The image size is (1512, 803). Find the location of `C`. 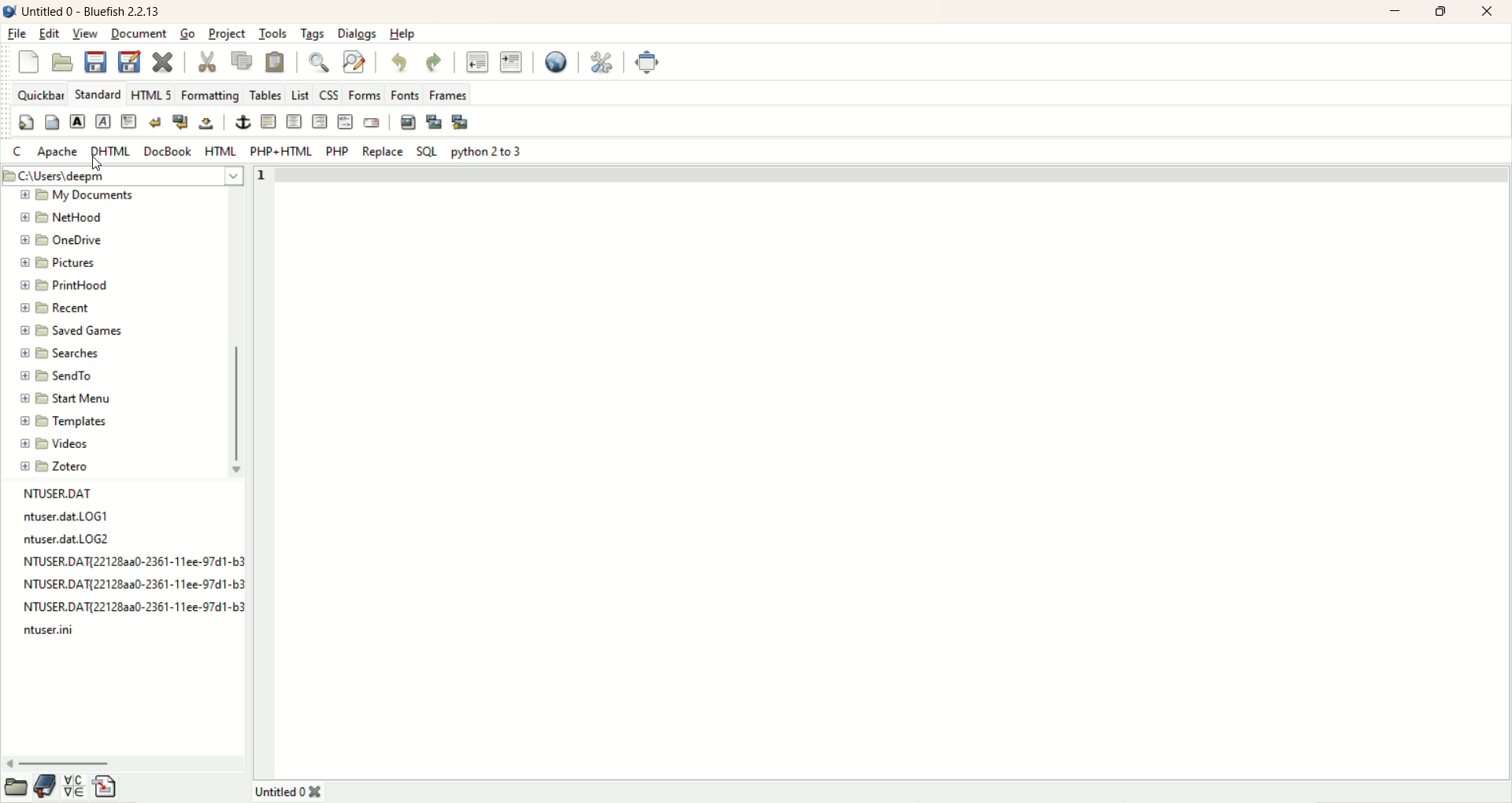

C is located at coordinates (20, 152).